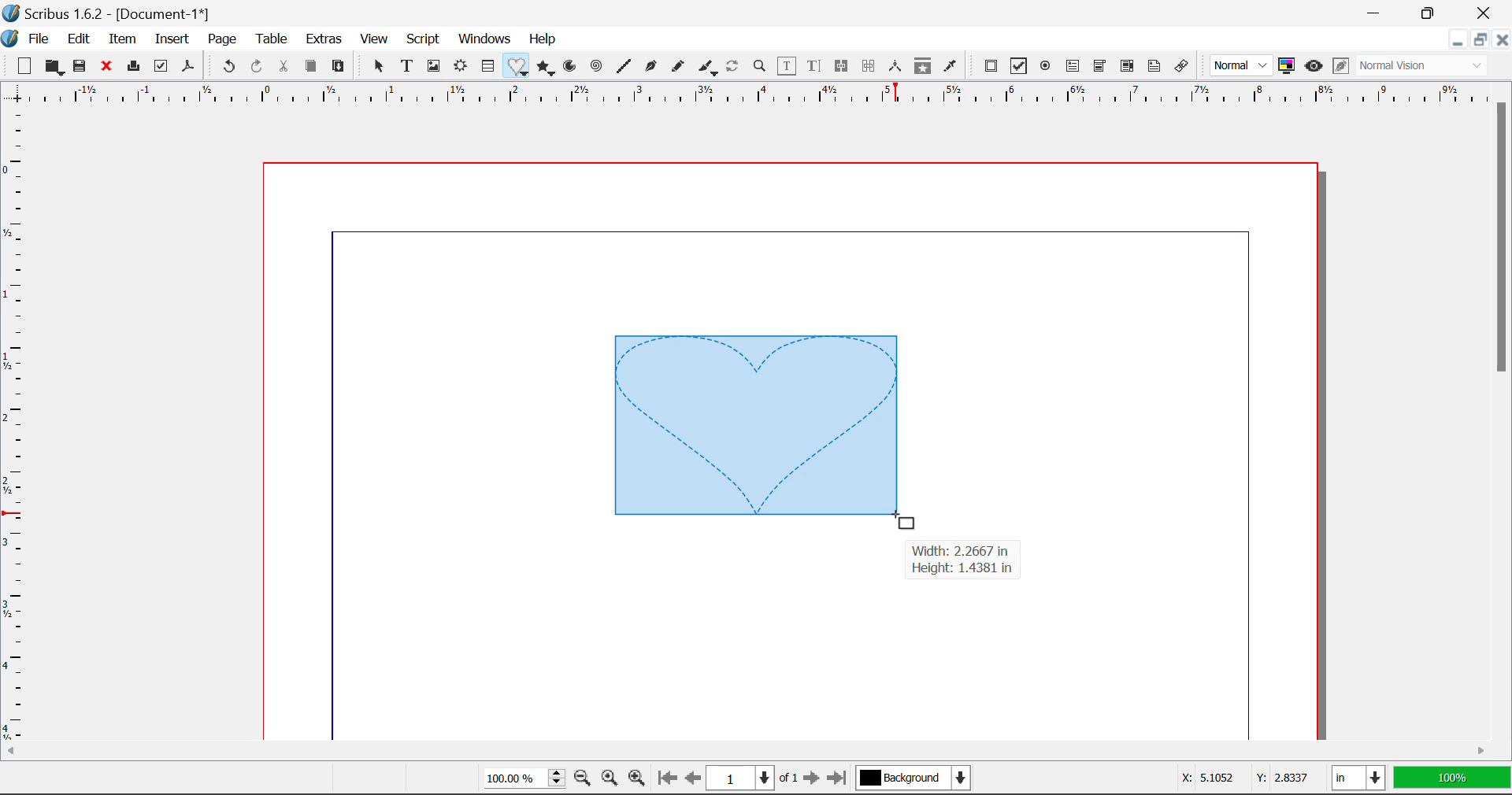 The width and height of the screenshot is (1512, 795). I want to click on Vertical Page Margins, so click(743, 97).